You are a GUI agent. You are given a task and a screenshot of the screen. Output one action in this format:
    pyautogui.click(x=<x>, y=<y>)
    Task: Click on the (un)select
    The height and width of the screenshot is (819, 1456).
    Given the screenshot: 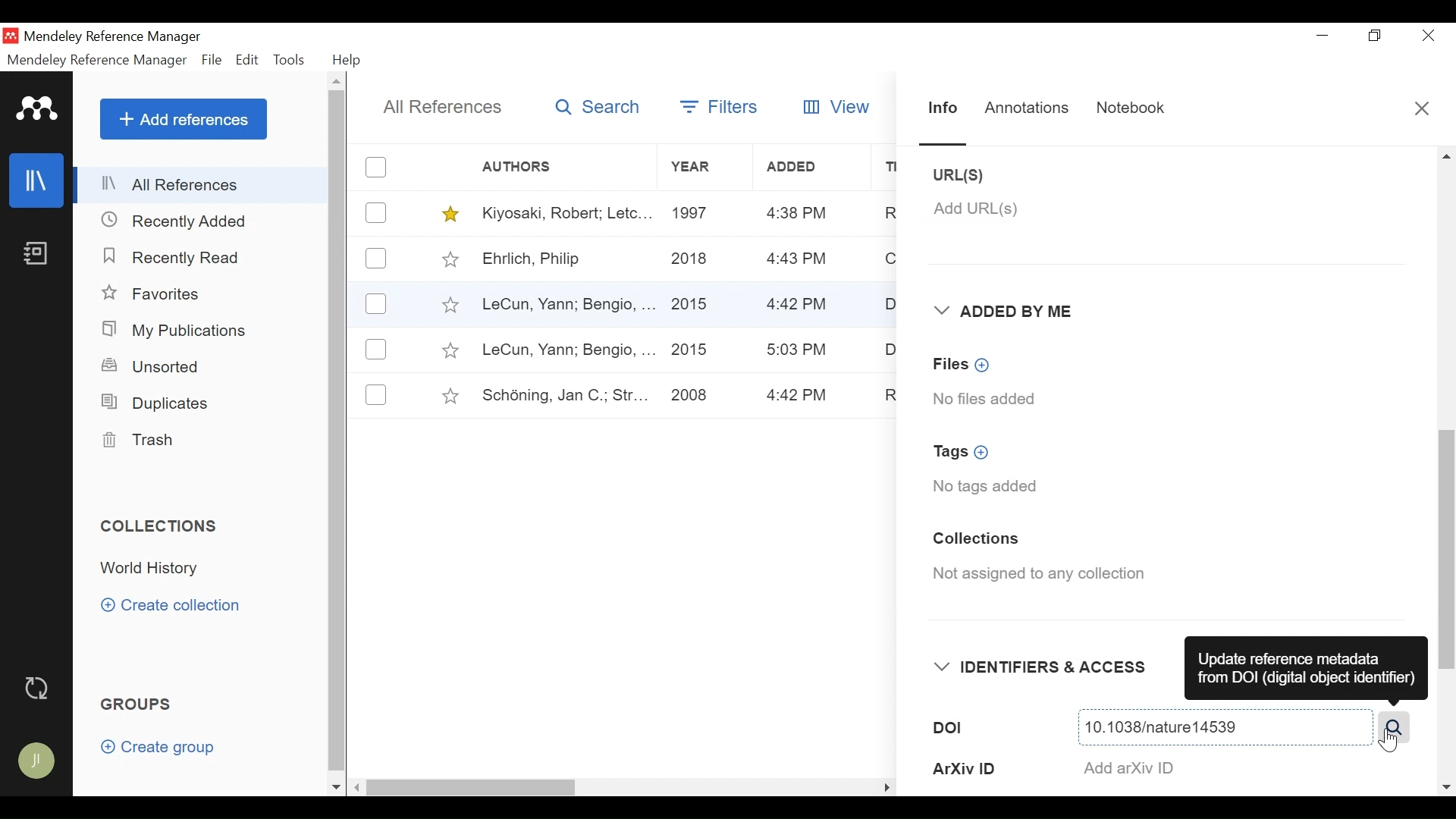 What is the action you would take?
    pyautogui.click(x=376, y=305)
    